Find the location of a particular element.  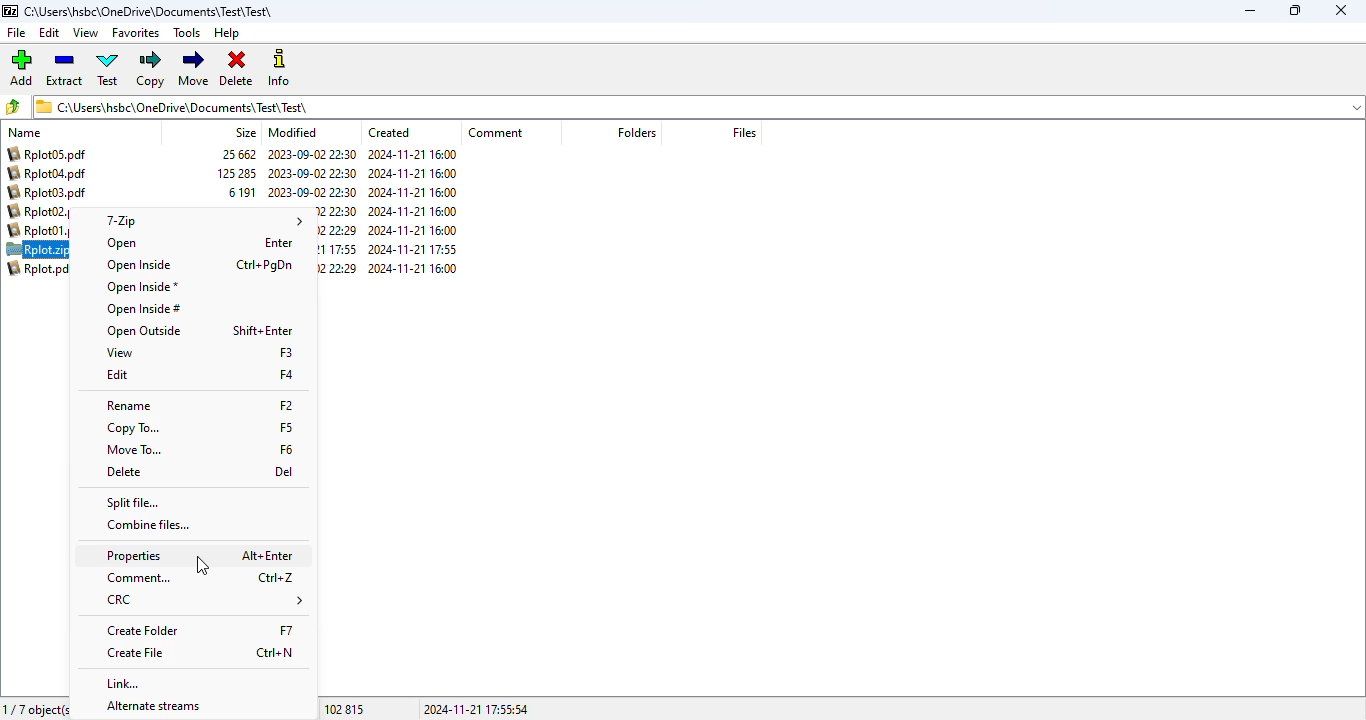

file is located at coordinates (16, 32).